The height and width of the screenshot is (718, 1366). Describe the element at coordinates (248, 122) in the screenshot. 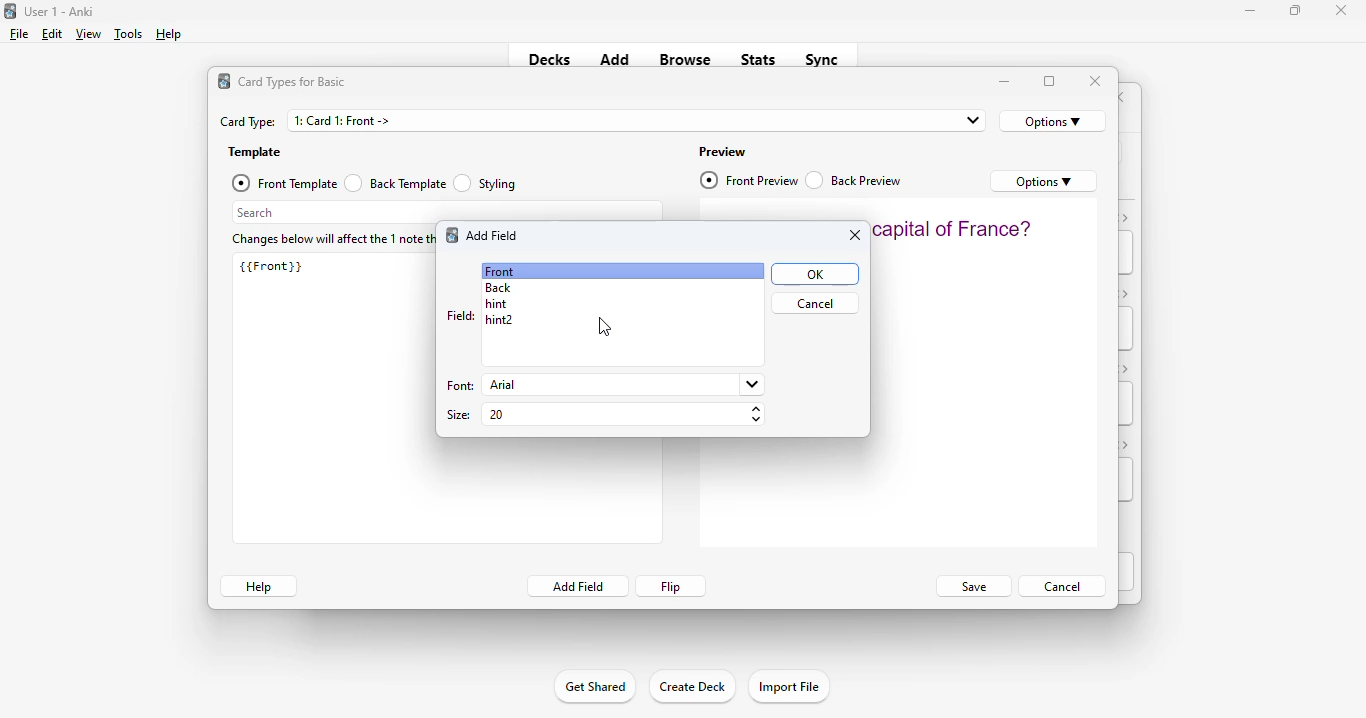

I see `card type:` at that location.